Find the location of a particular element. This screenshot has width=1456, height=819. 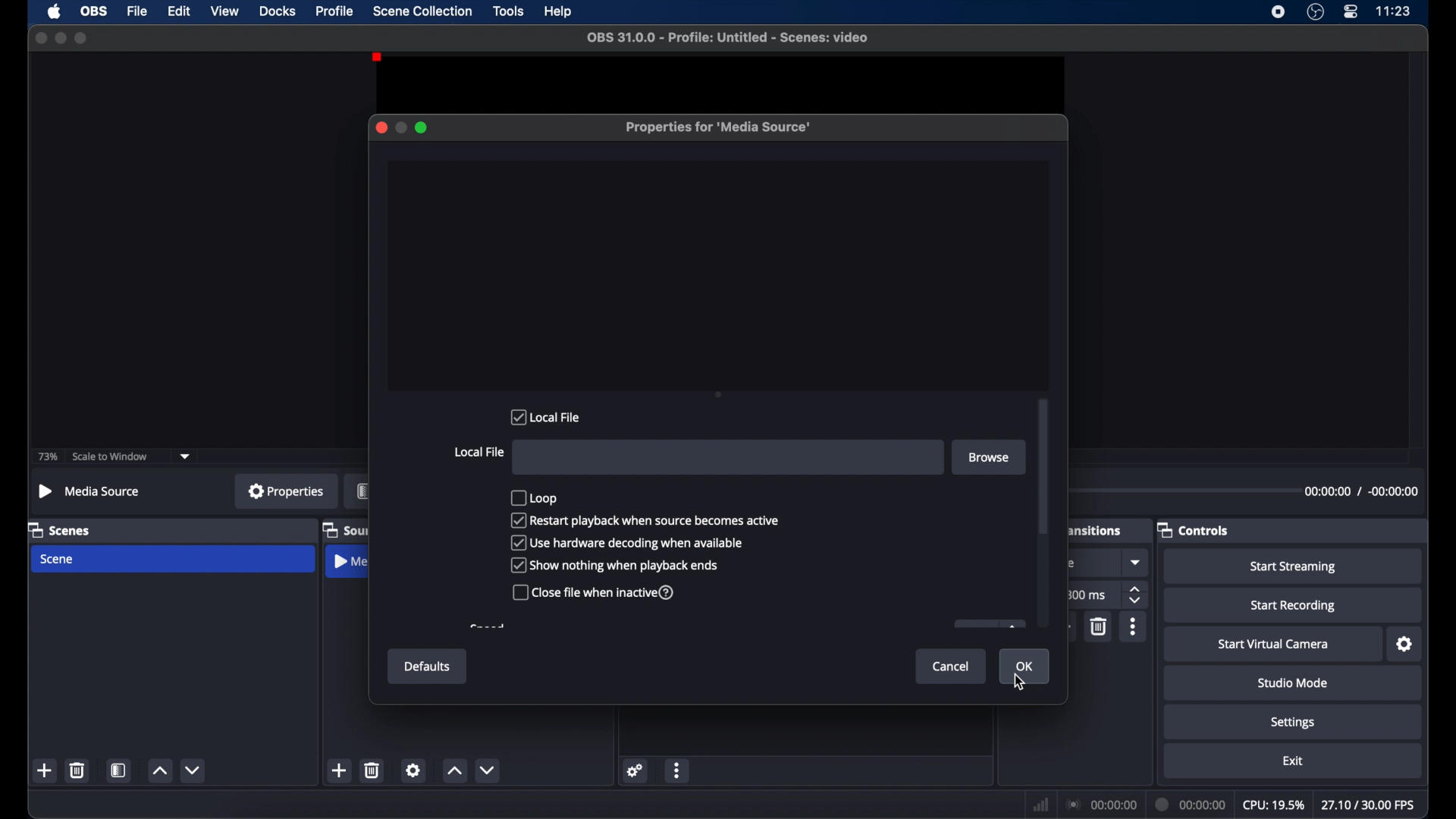

use hardware decoding when available is located at coordinates (628, 542).